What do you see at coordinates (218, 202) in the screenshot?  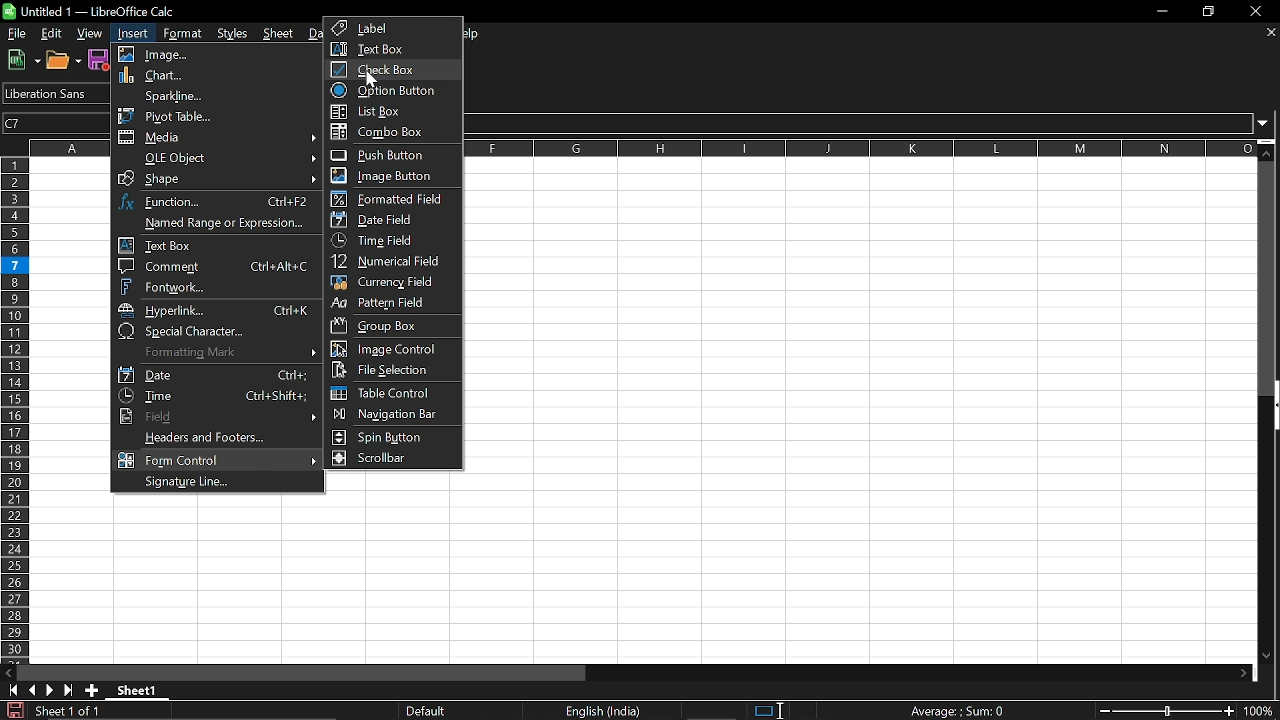 I see `Function` at bounding box center [218, 202].